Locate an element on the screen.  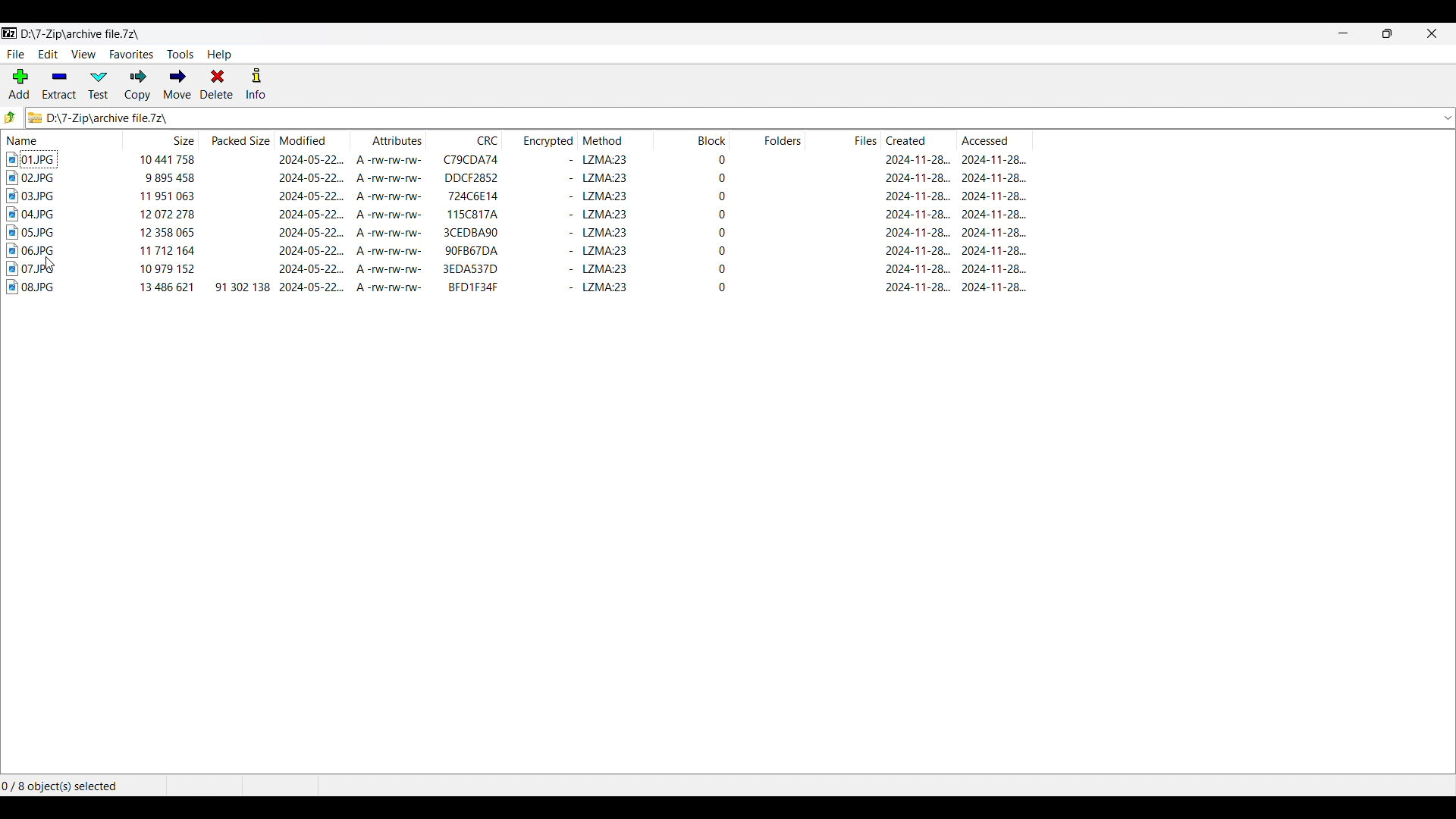
modified date & time is located at coordinates (311, 232).